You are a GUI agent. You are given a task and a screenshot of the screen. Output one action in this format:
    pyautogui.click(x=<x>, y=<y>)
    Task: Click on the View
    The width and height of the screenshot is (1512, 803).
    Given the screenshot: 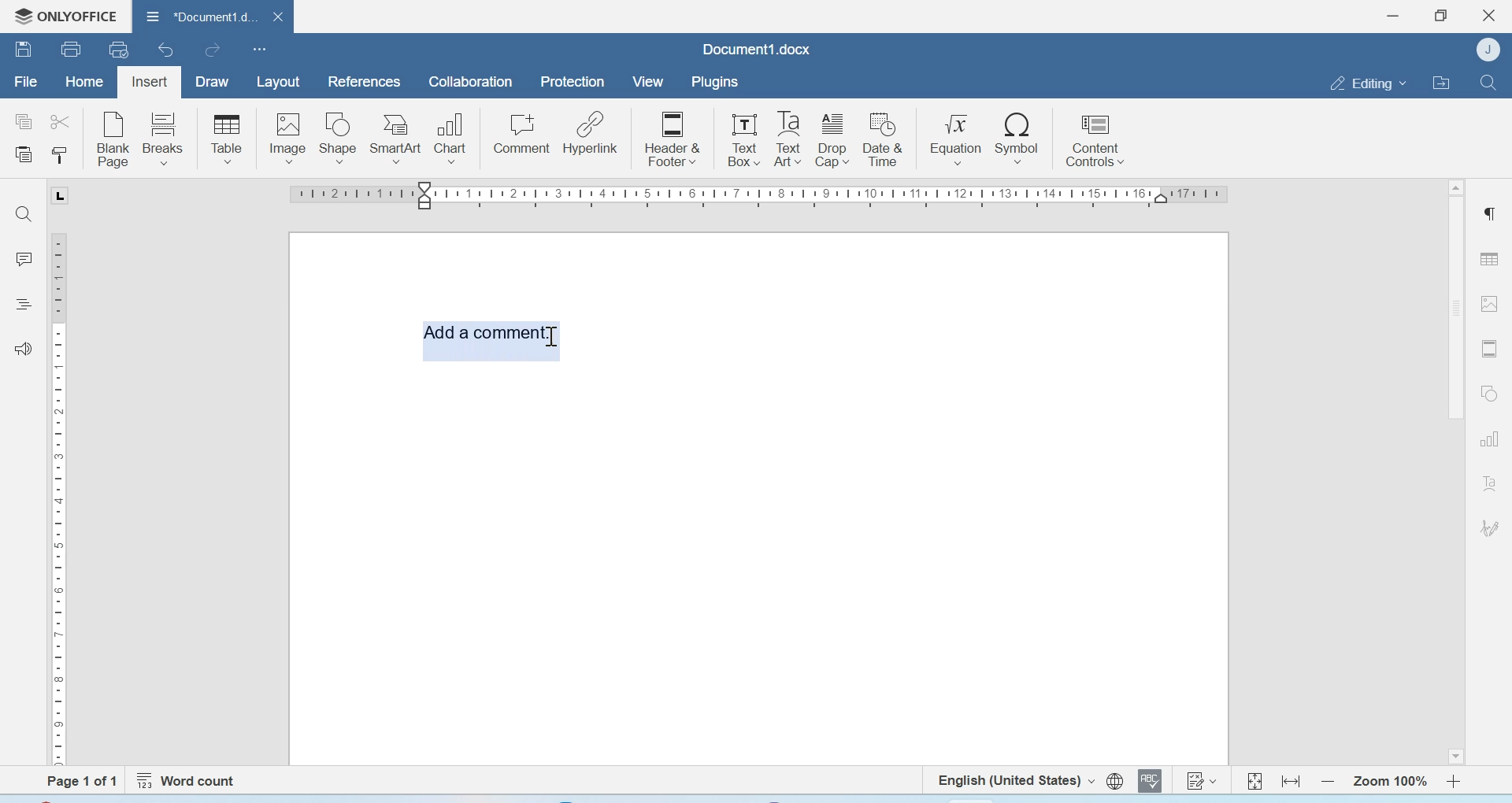 What is the action you would take?
    pyautogui.click(x=647, y=83)
    